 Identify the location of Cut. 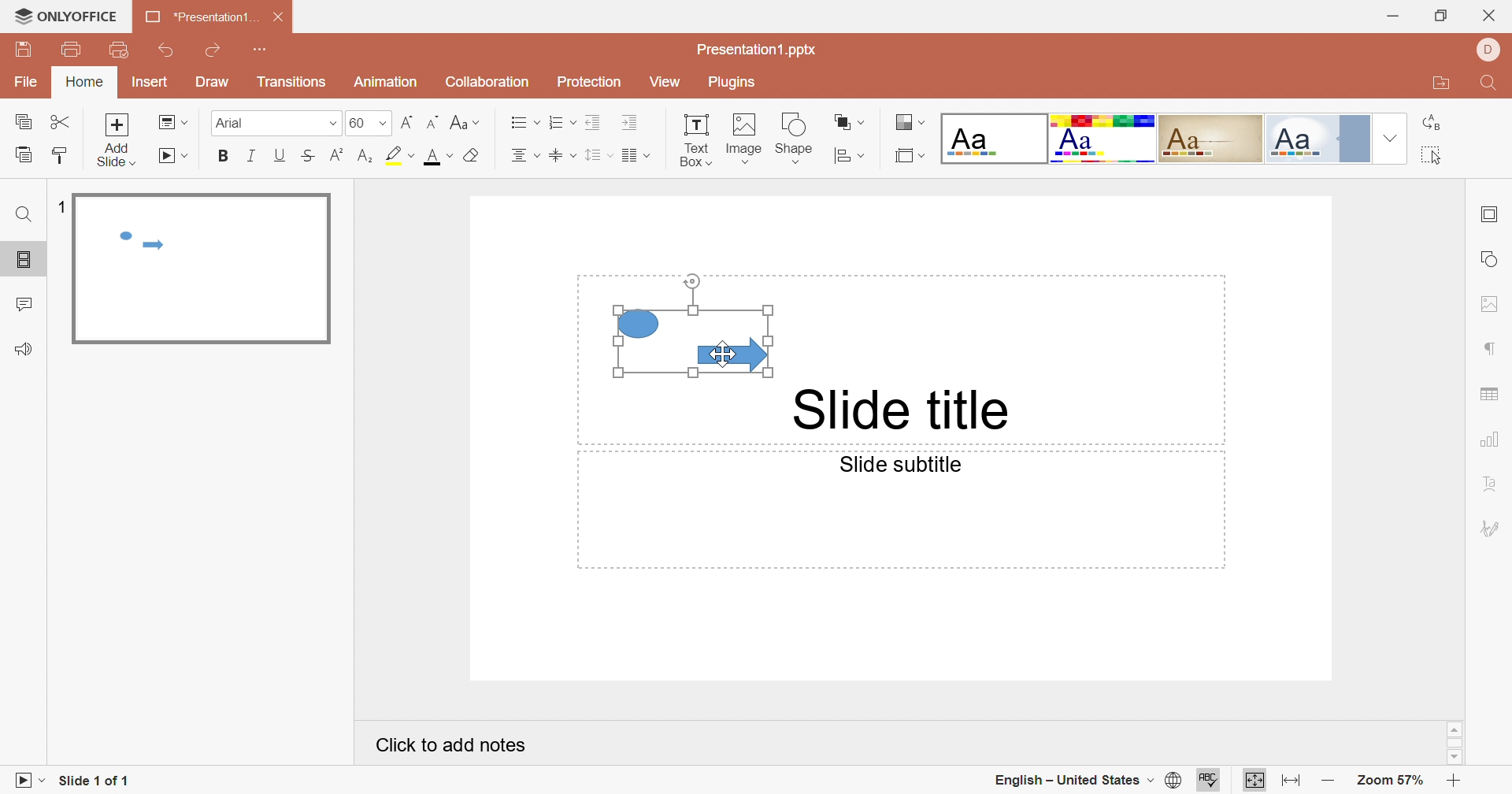
(56, 124).